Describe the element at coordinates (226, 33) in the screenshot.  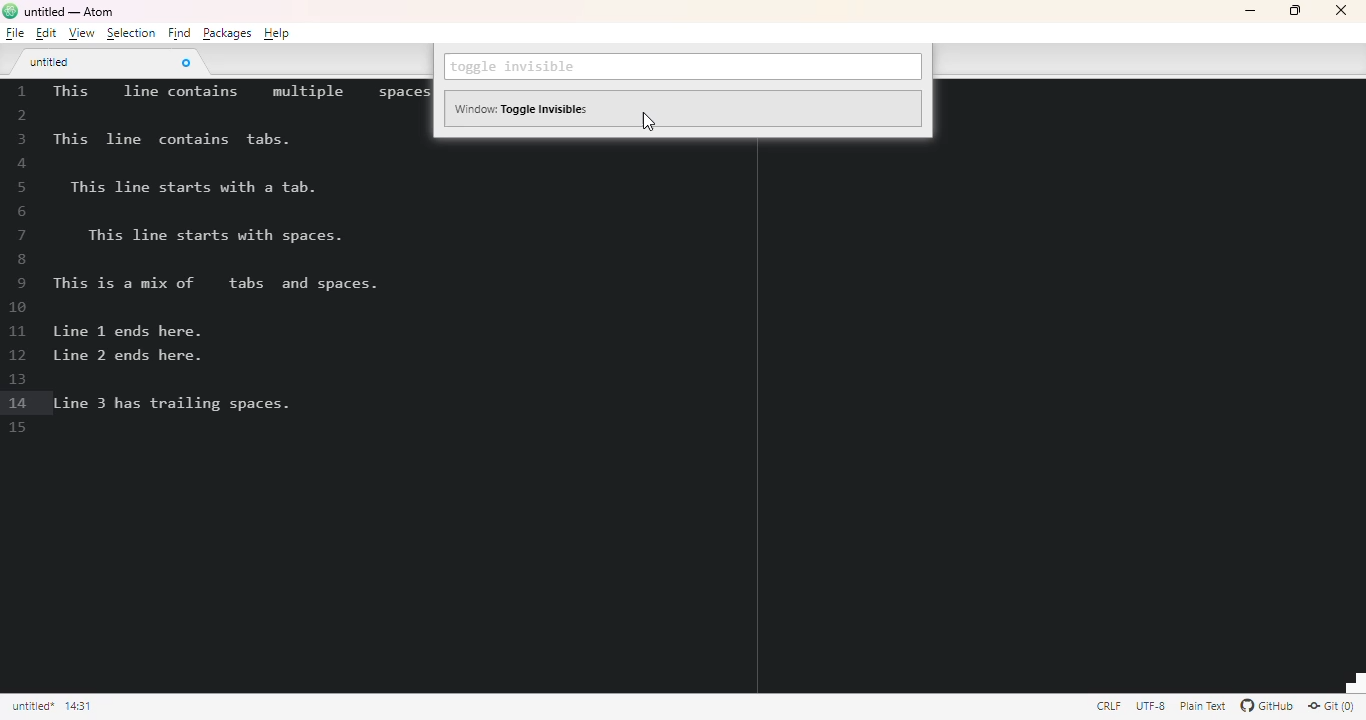
I see `packages` at that location.